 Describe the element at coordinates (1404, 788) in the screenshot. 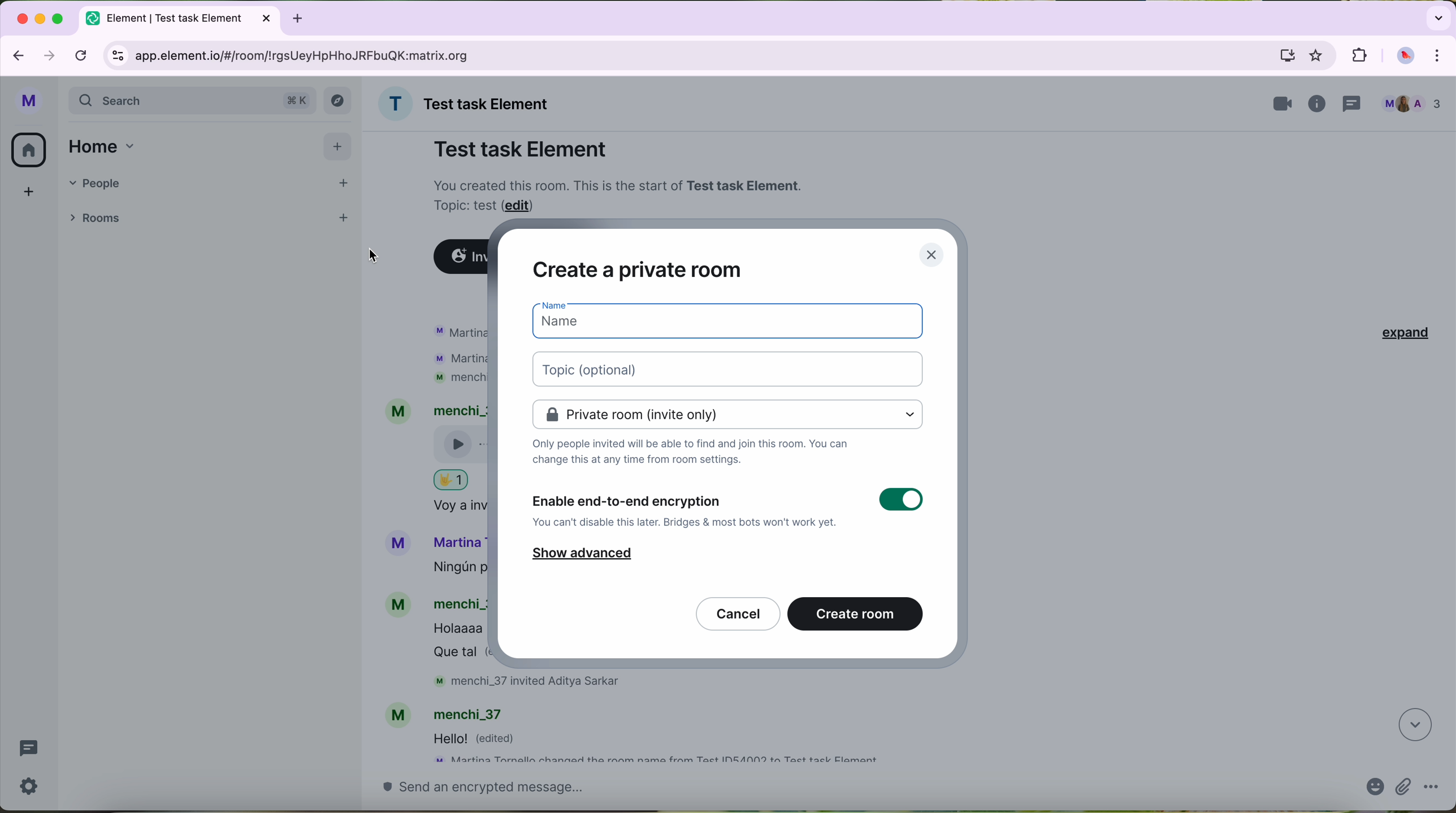

I see `attach file` at that location.